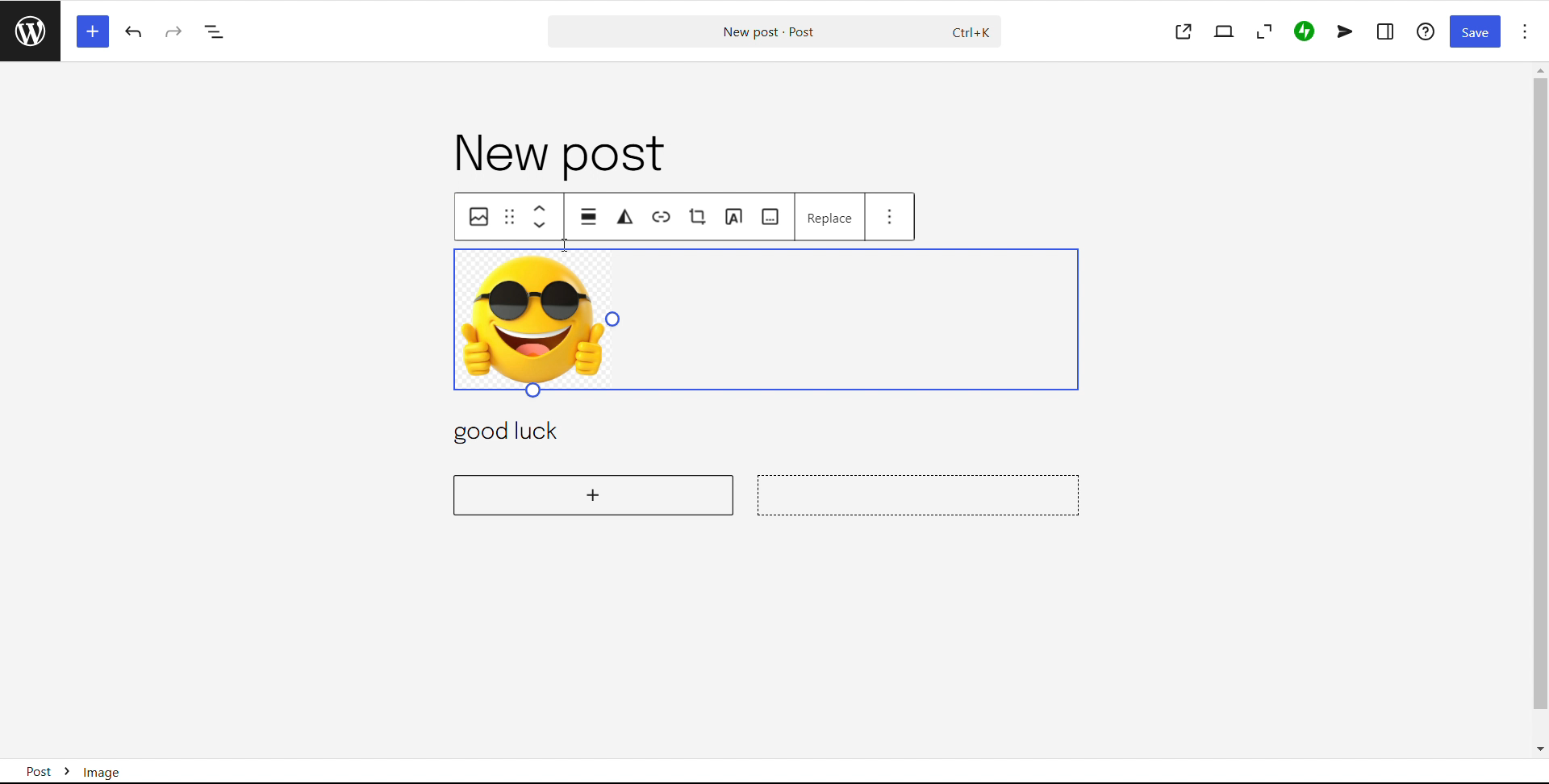 This screenshot has height=784, width=1549. Describe the element at coordinates (921, 494) in the screenshot. I see `preview of new block` at that location.